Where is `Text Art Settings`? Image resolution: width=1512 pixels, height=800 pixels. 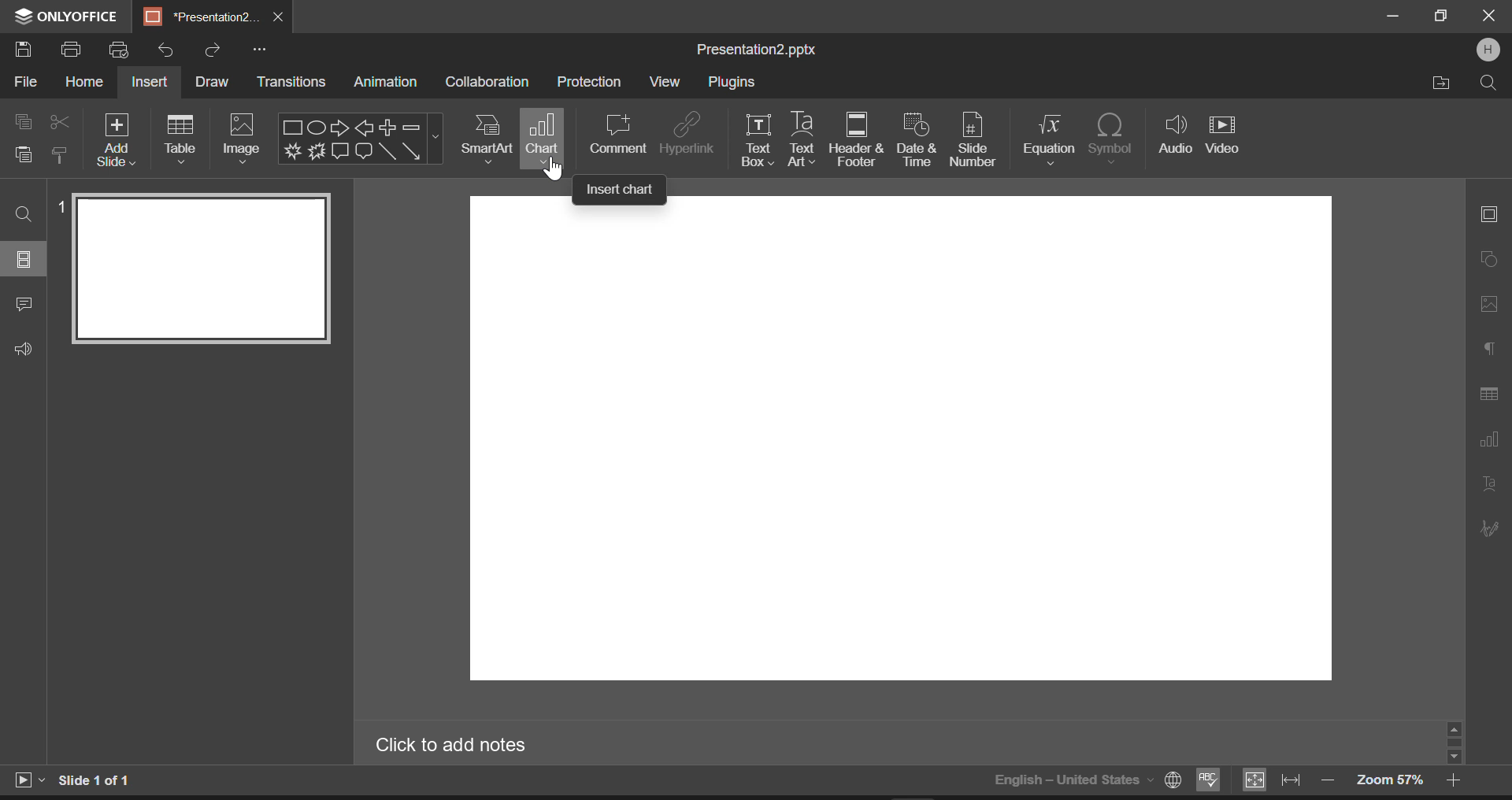 Text Art Settings is located at coordinates (1488, 486).